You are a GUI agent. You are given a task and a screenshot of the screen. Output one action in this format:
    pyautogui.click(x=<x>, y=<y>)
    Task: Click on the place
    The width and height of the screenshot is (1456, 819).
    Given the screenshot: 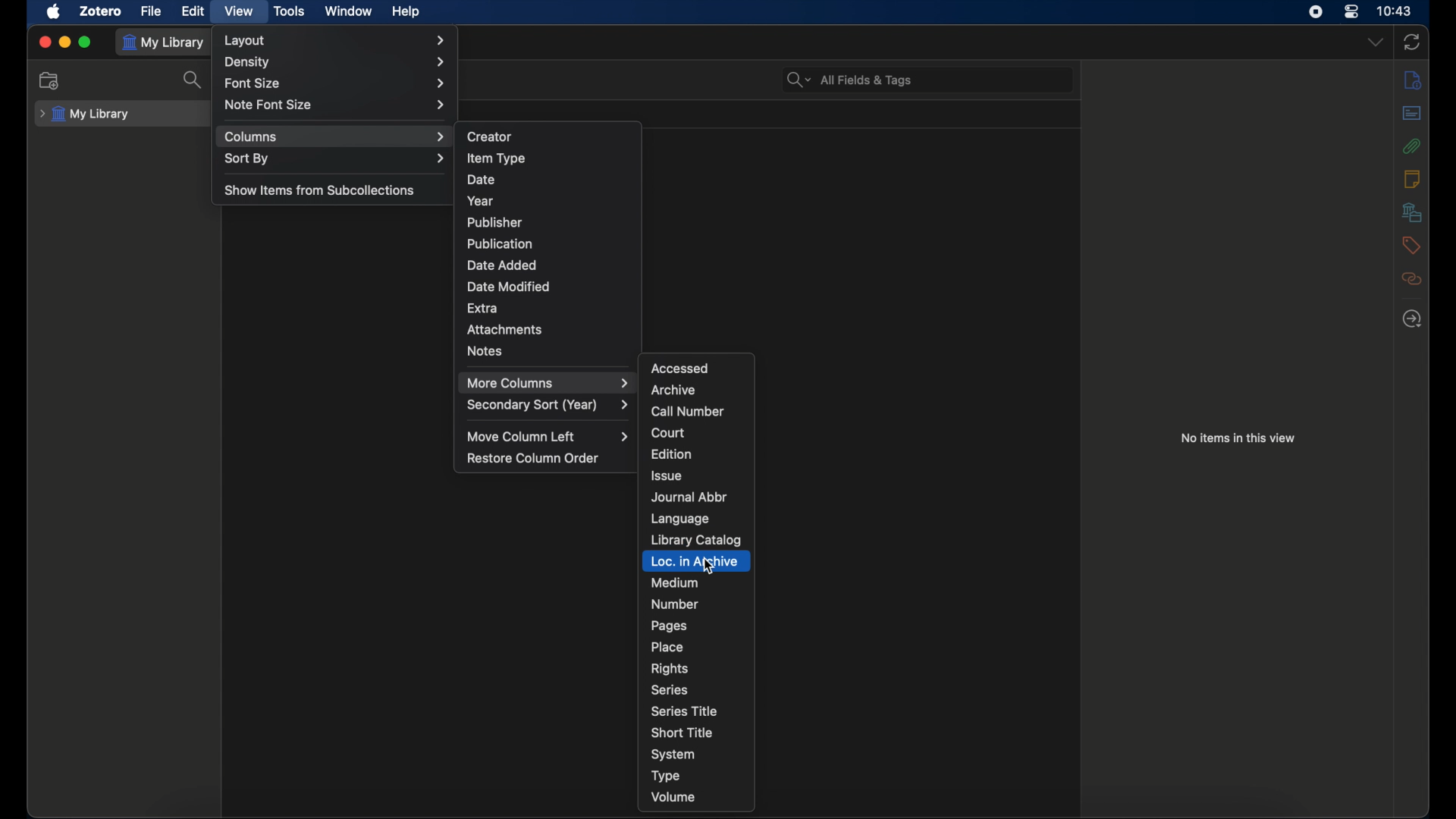 What is the action you would take?
    pyautogui.click(x=668, y=647)
    